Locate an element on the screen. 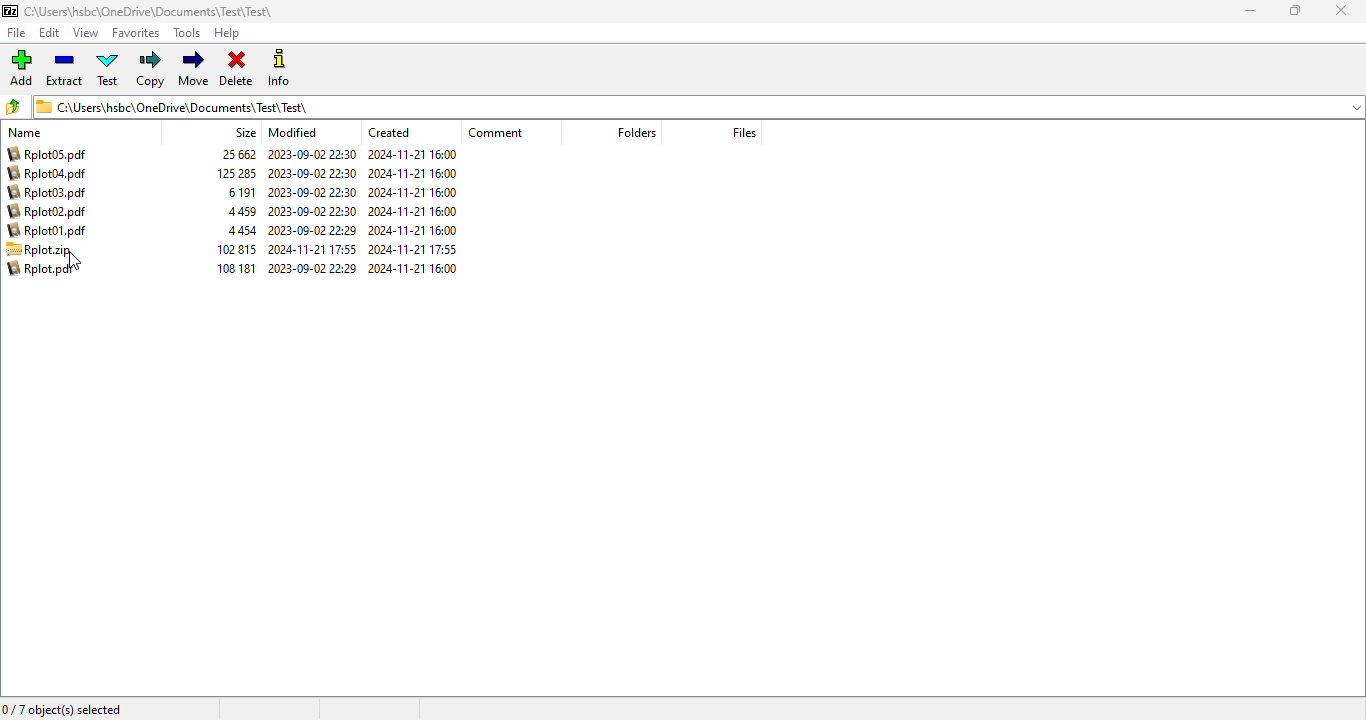 This screenshot has height=720, width=1366. comment is located at coordinates (495, 132).